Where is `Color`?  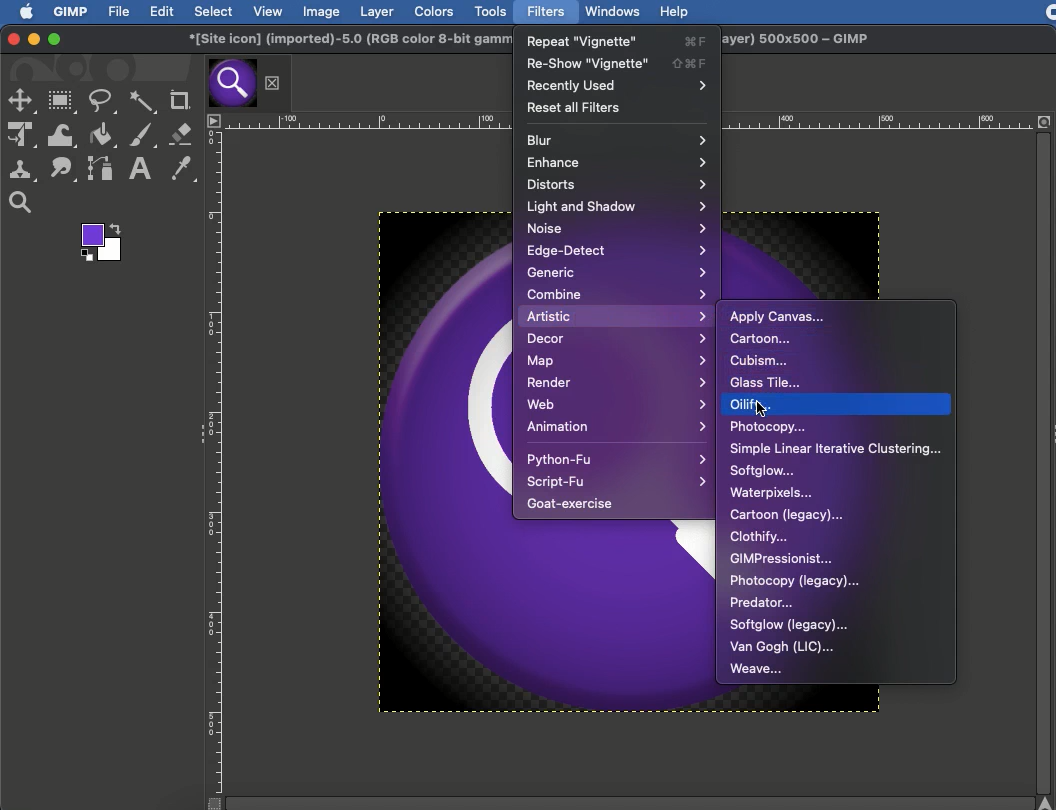 Color is located at coordinates (99, 243).